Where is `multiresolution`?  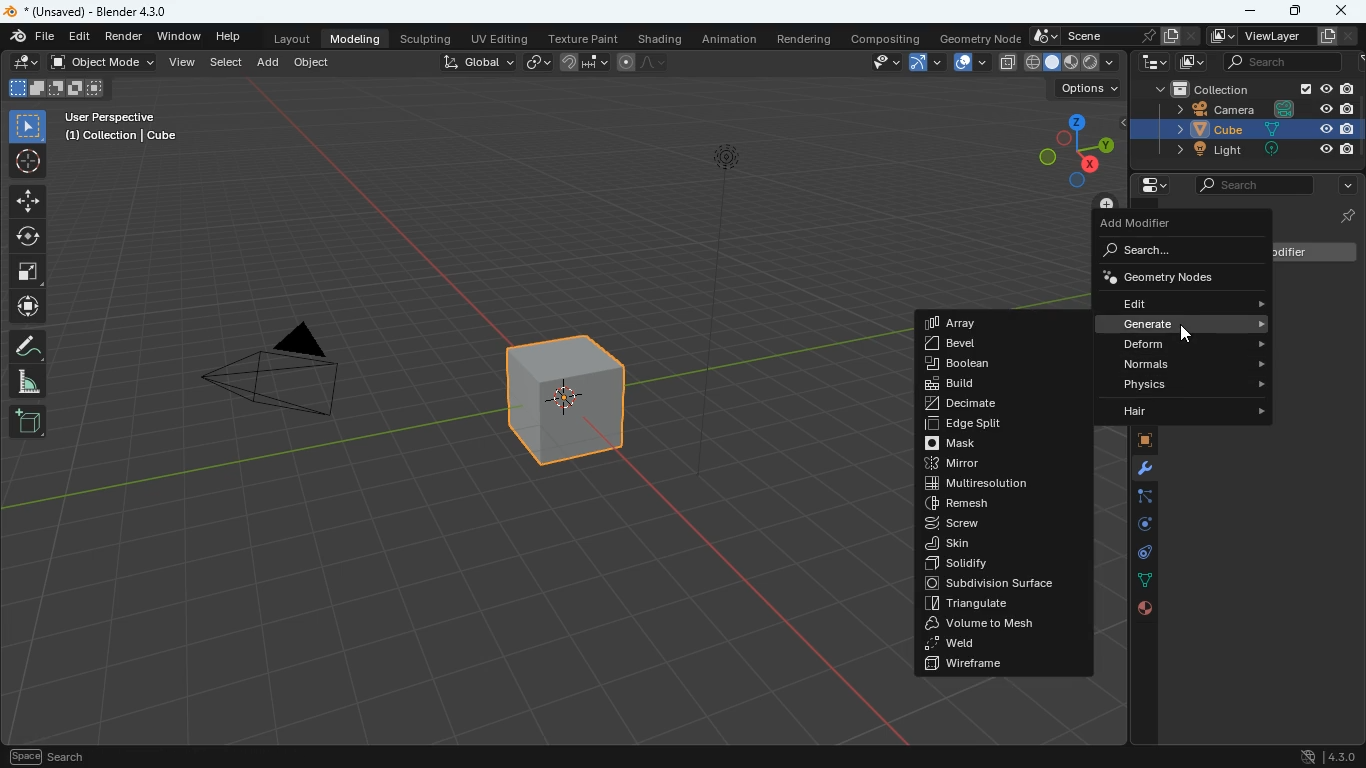
multiresolution is located at coordinates (995, 484).